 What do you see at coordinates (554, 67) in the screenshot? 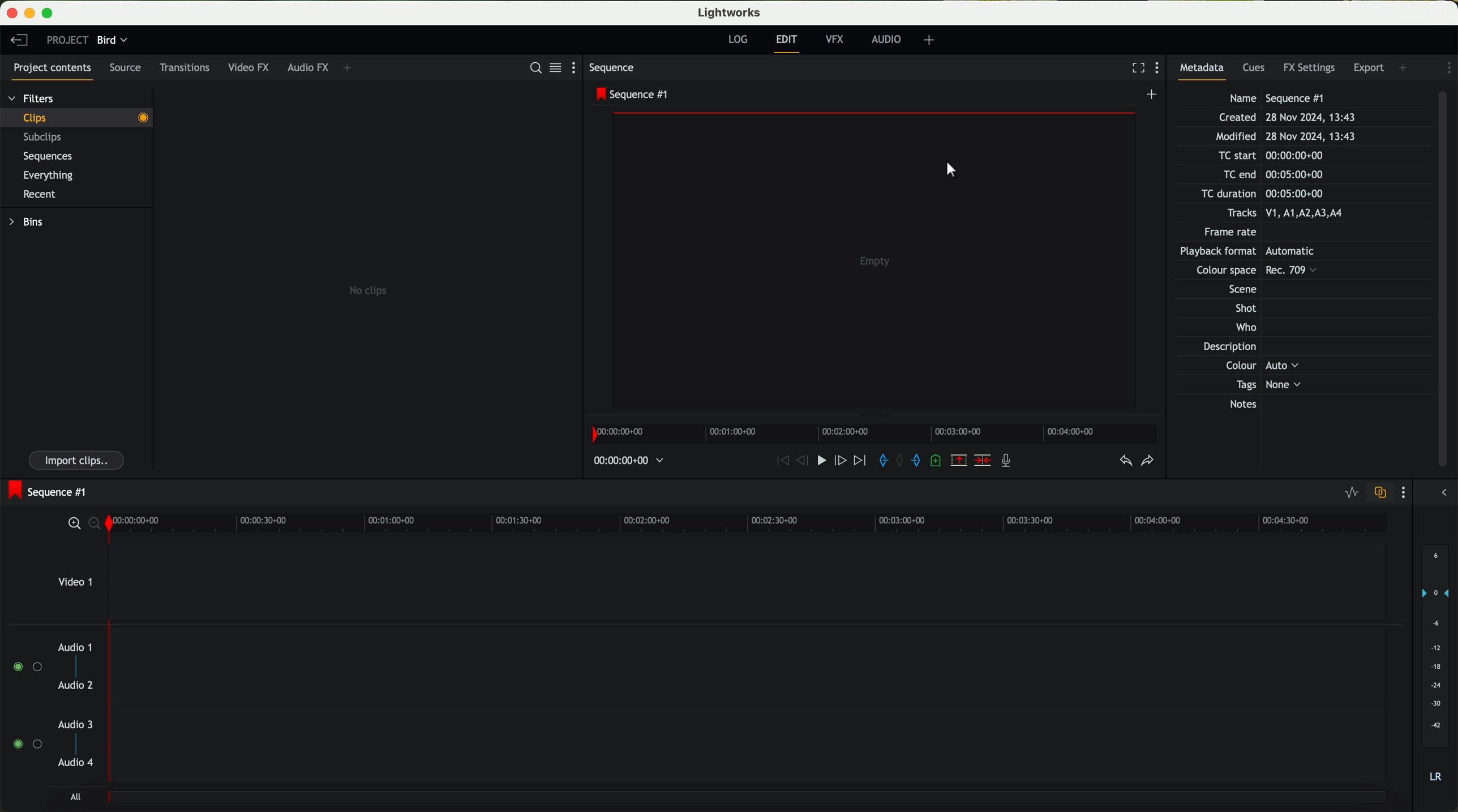
I see `toggle between list and toggle view` at bounding box center [554, 67].